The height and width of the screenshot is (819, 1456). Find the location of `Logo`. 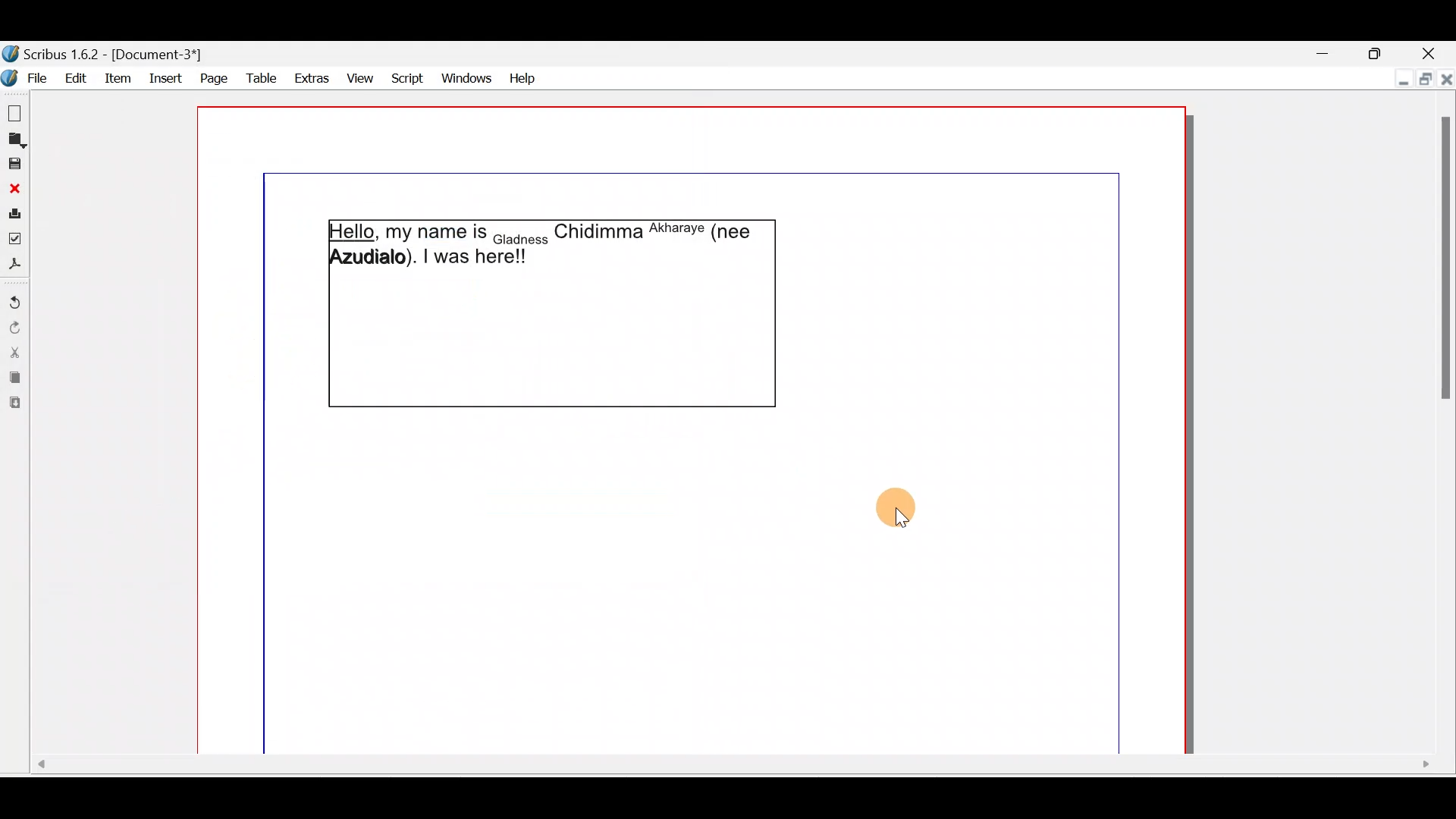

Logo is located at coordinates (9, 78).